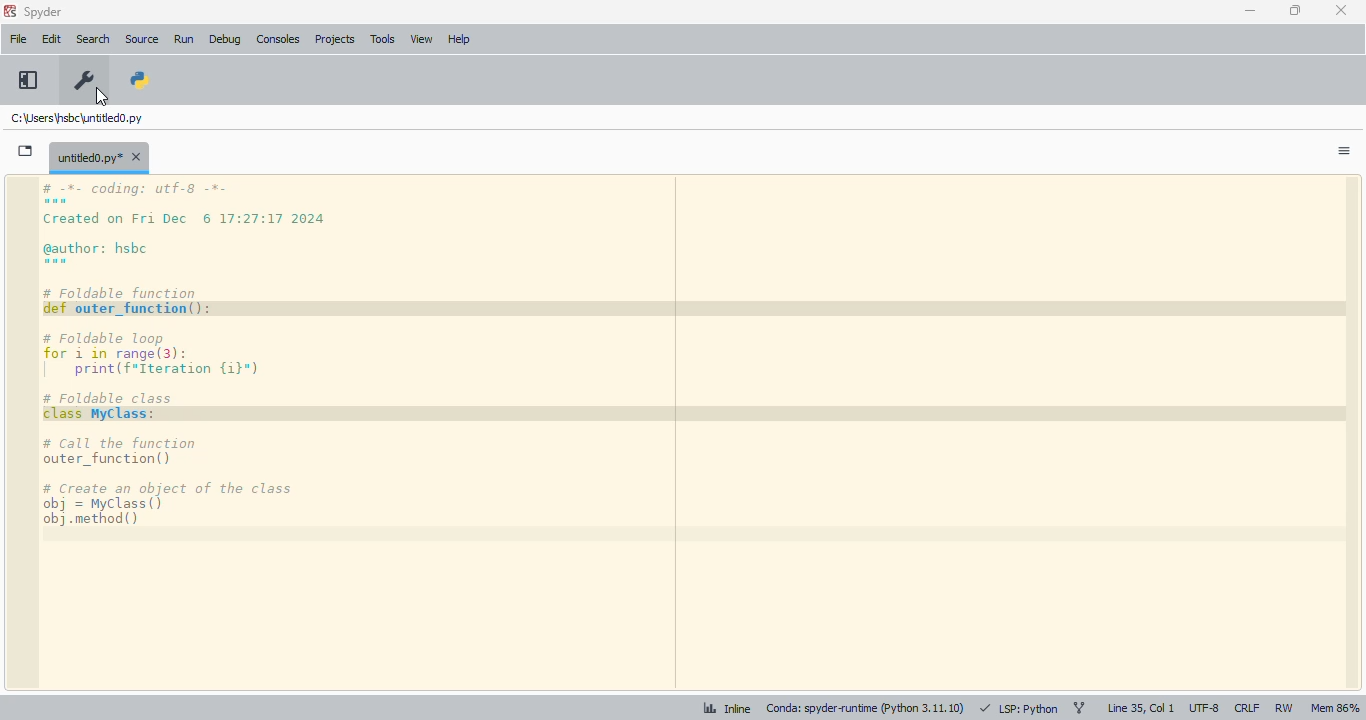  Describe the element at coordinates (19, 38) in the screenshot. I see `file` at that location.